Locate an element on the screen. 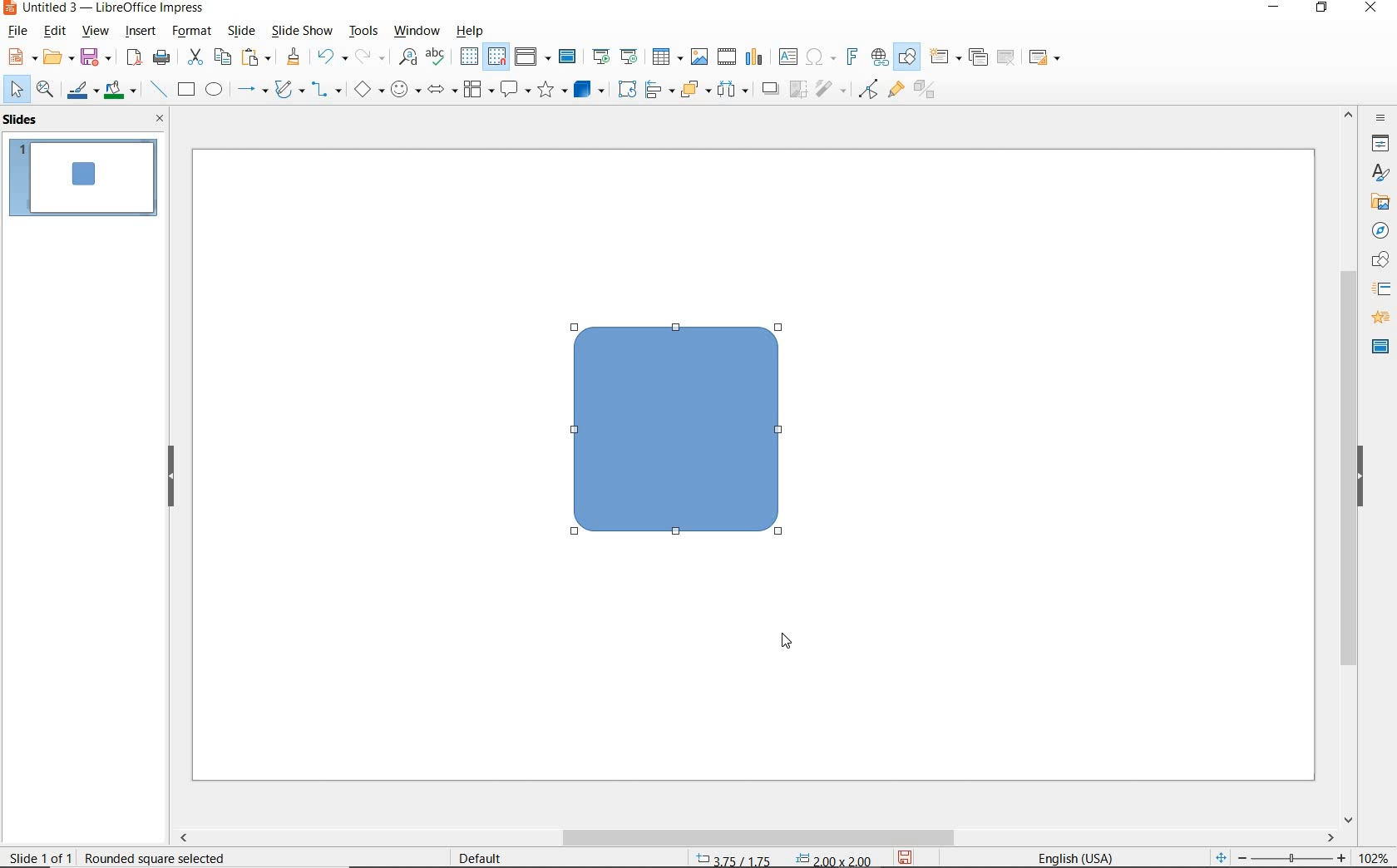 This screenshot has height=868, width=1397. sidebar settings is located at coordinates (1381, 119).